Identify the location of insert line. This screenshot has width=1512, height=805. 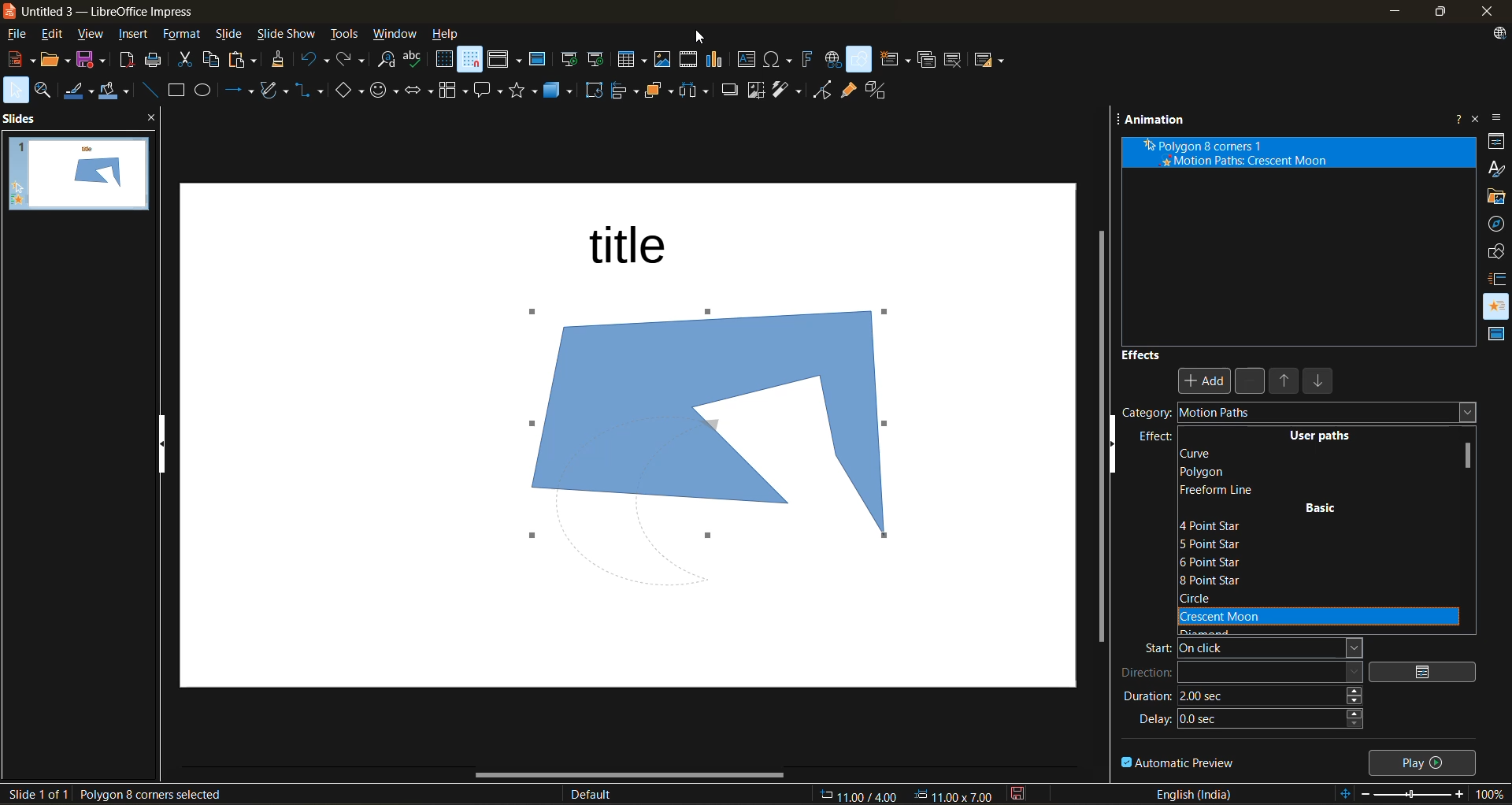
(150, 89).